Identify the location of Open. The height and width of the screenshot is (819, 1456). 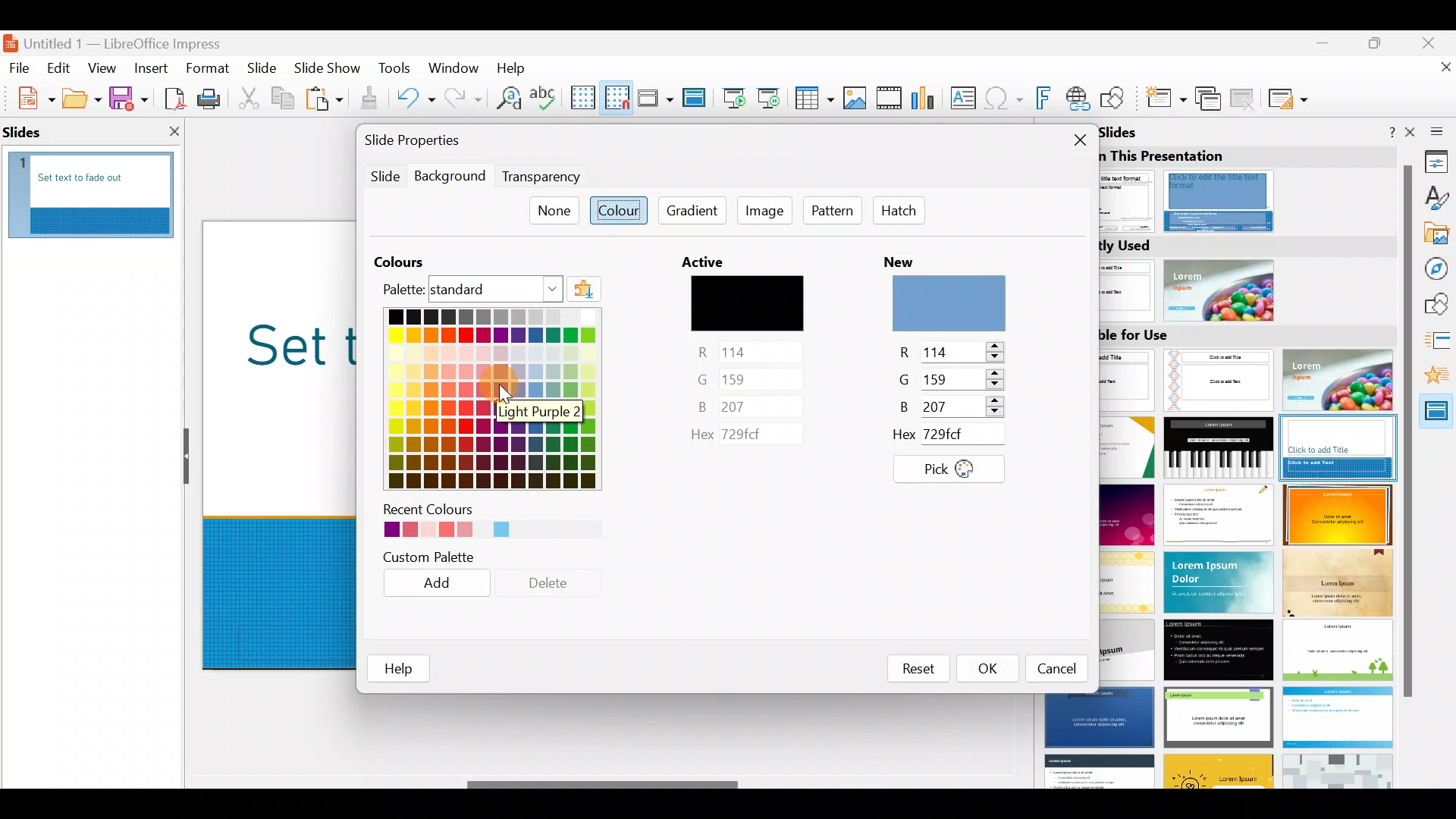
(82, 99).